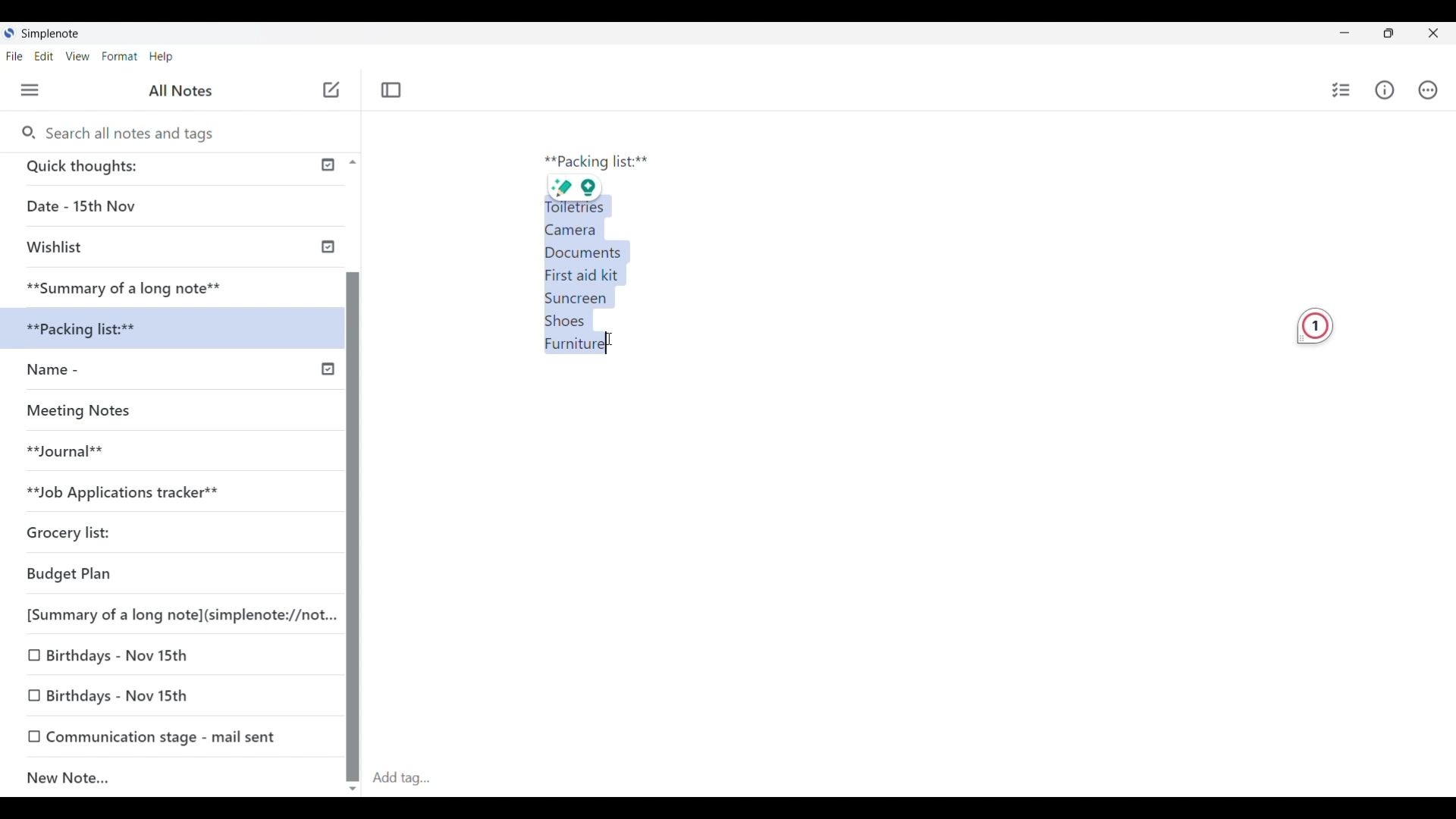 The height and width of the screenshot is (819, 1456). I want to click on Click to type in tag, so click(400, 779).